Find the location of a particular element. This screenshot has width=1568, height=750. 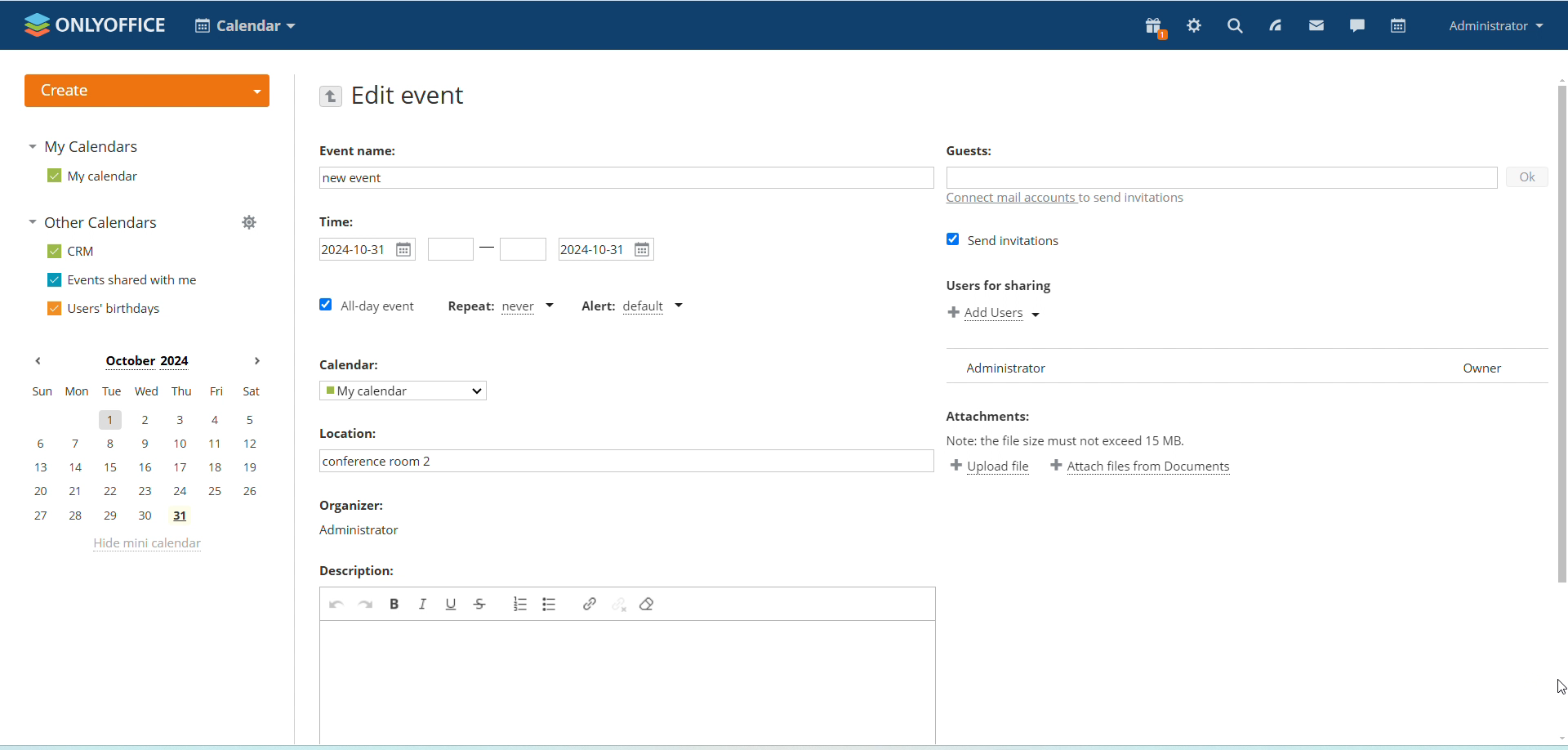

edit event is located at coordinates (410, 97).